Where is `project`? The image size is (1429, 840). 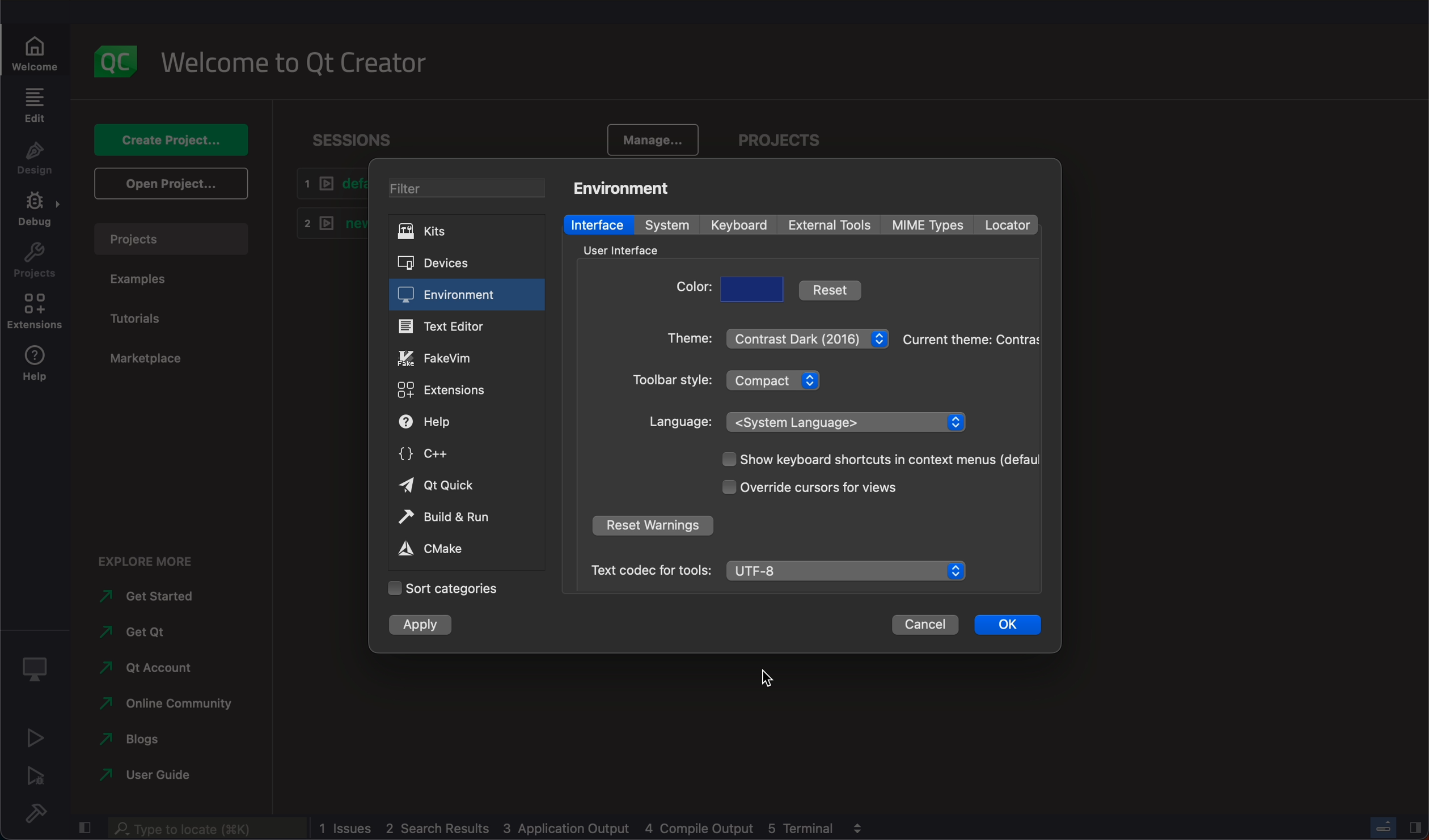
project is located at coordinates (170, 236).